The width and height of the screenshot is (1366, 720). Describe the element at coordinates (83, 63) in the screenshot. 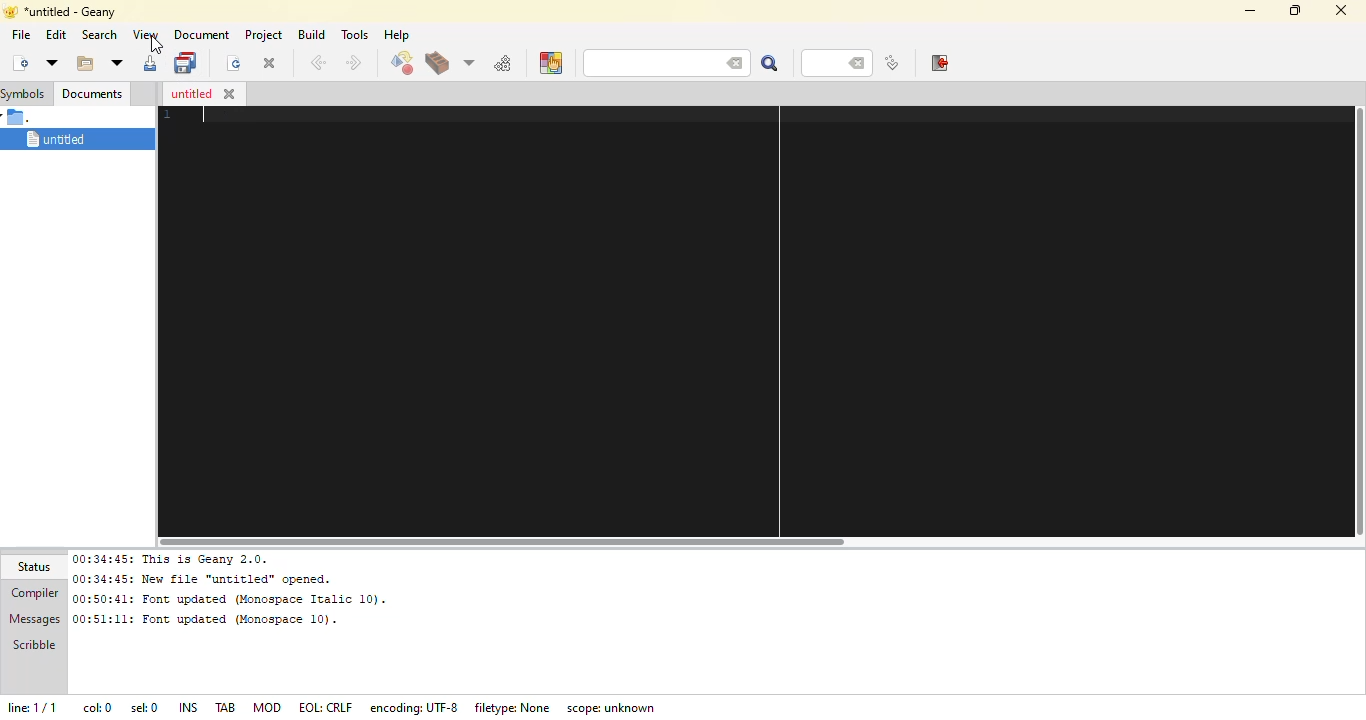

I see `open existing` at that location.